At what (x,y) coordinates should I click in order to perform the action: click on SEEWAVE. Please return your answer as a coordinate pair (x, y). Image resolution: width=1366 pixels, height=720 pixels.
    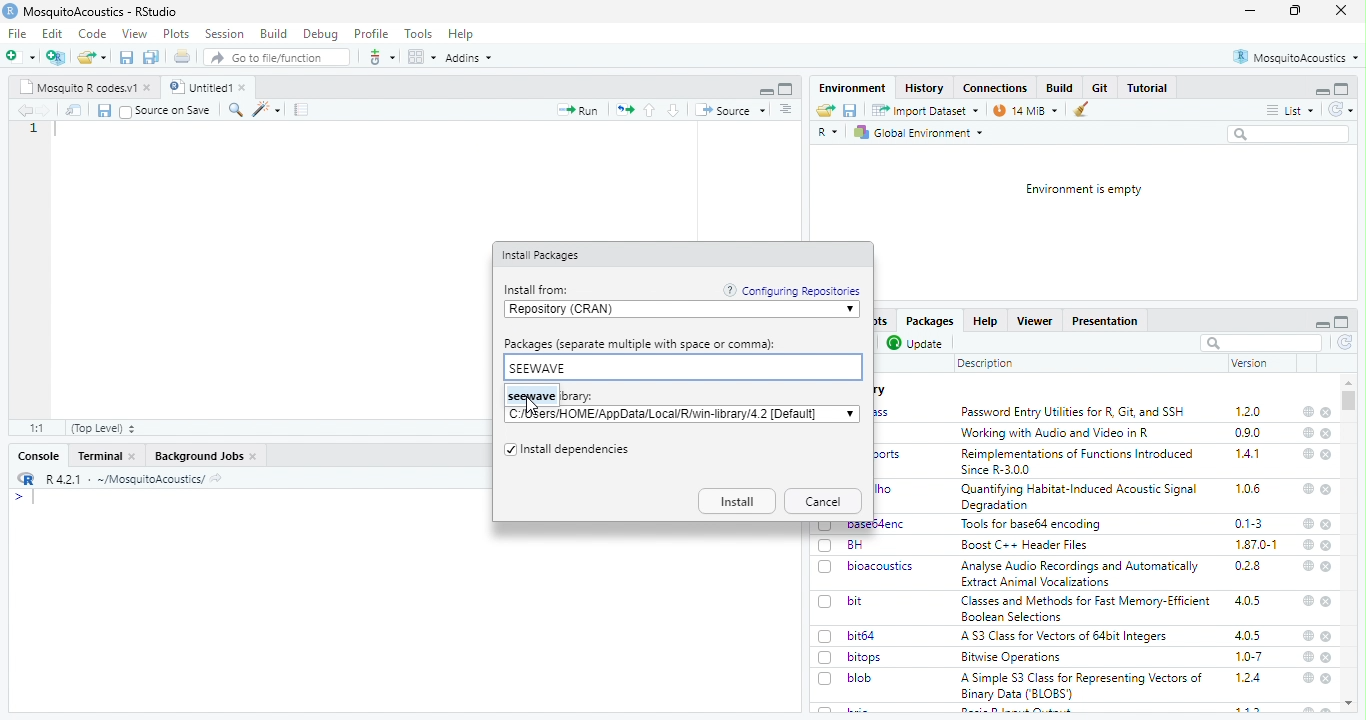
    Looking at the image, I should click on (681, 368).